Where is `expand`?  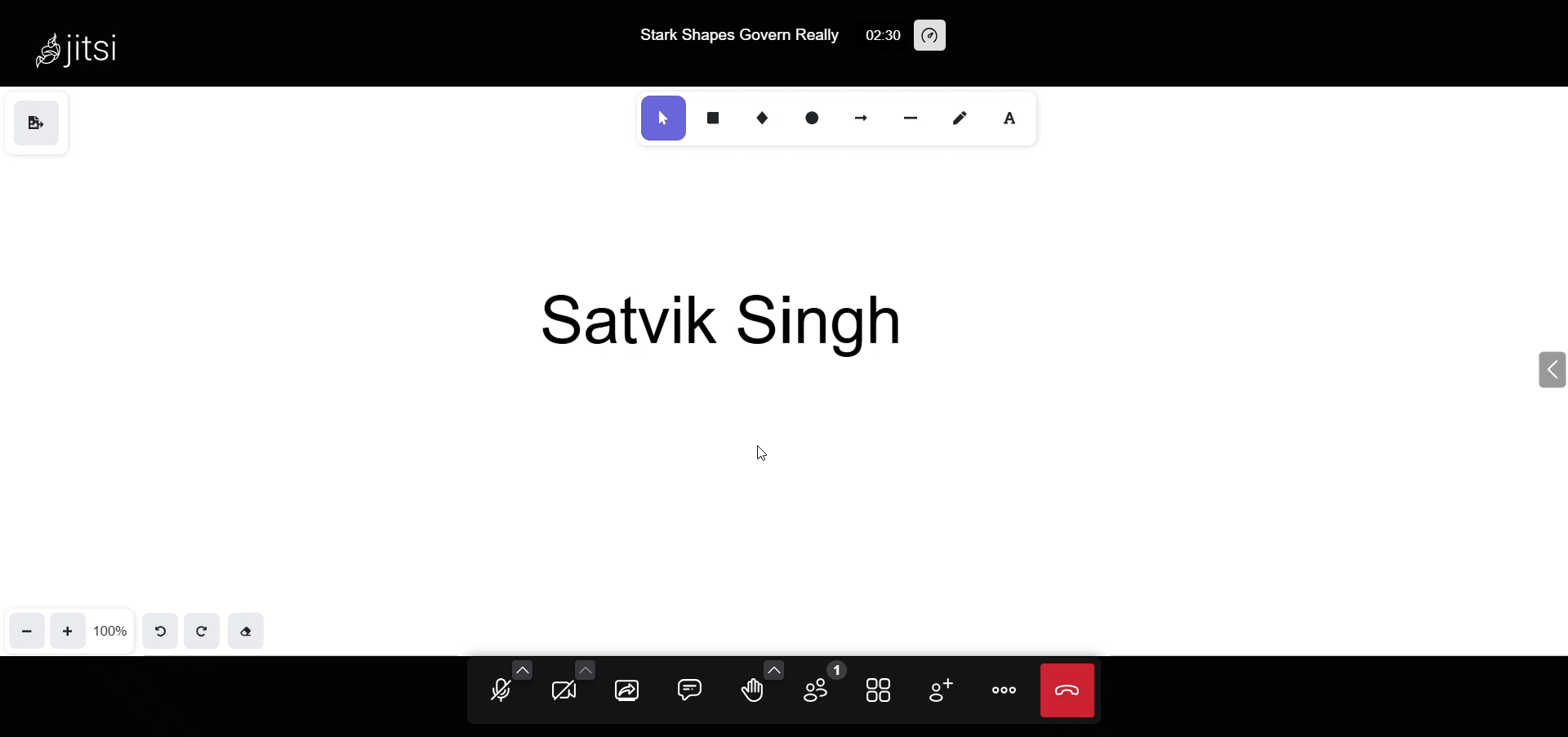
expand is located at coordinates (1534, 369).